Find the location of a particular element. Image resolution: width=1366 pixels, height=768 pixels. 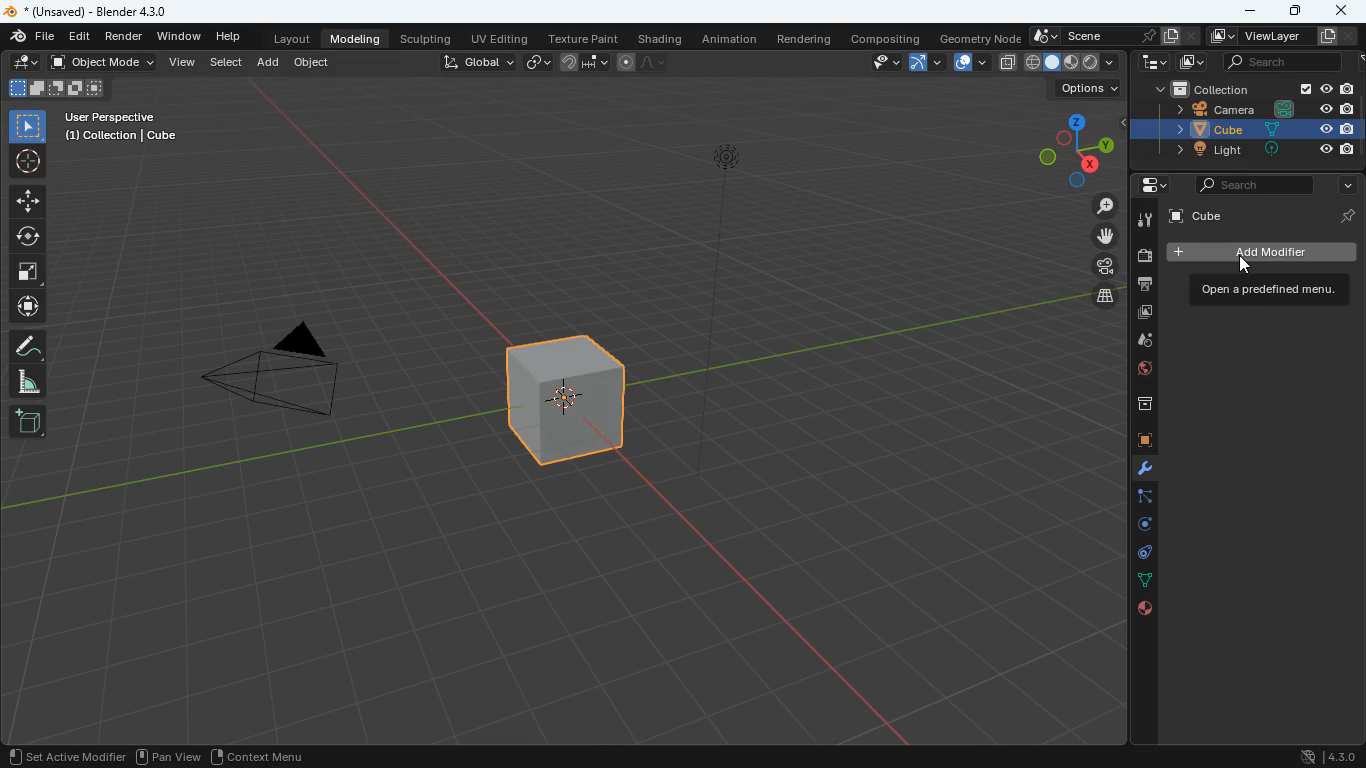

select is located at coordinates (227, 63).